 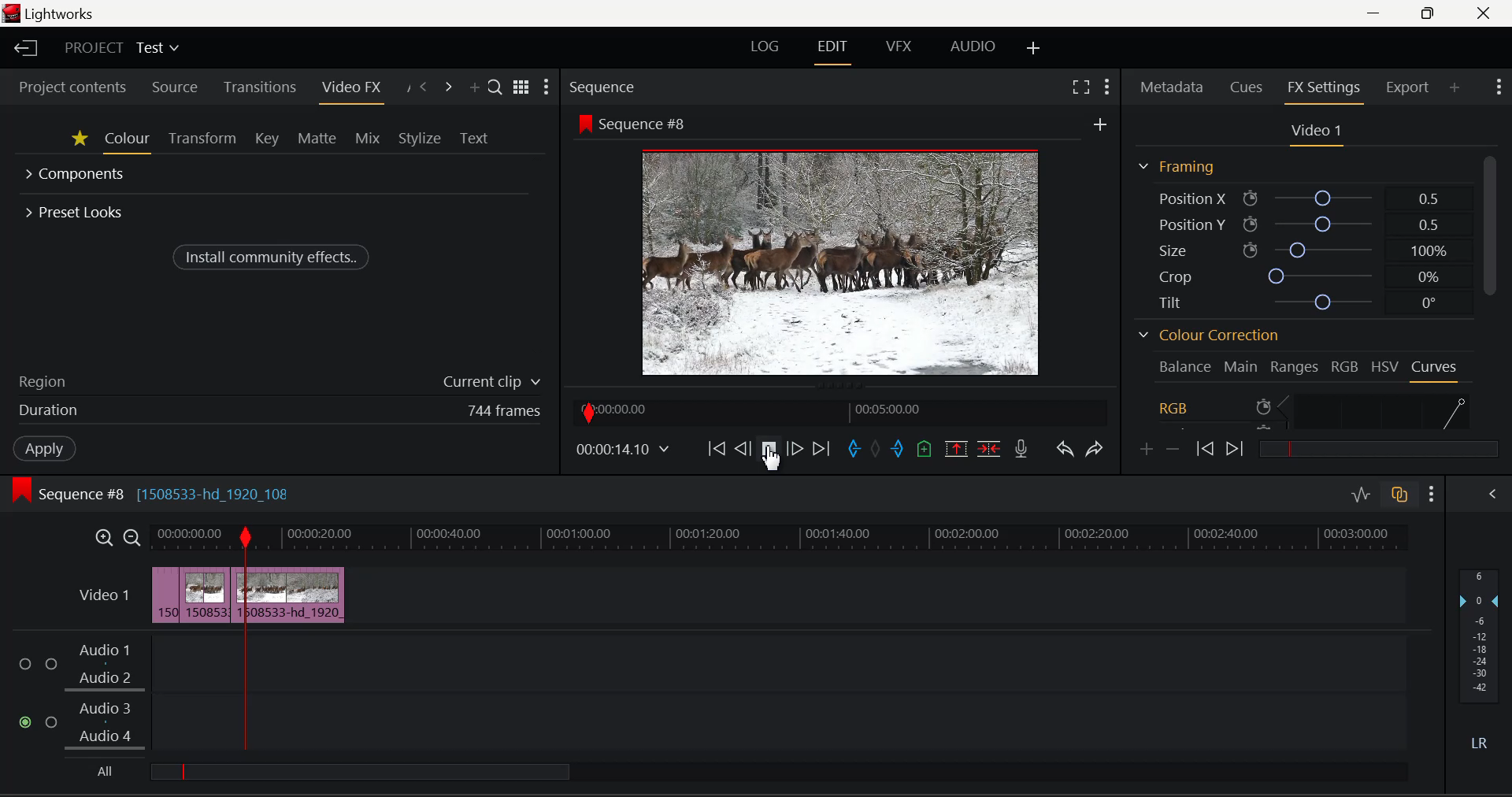 What do you see at coordinates (317, 140) in the screenshot?
I see `Matte` at bounding box center [317, 140].